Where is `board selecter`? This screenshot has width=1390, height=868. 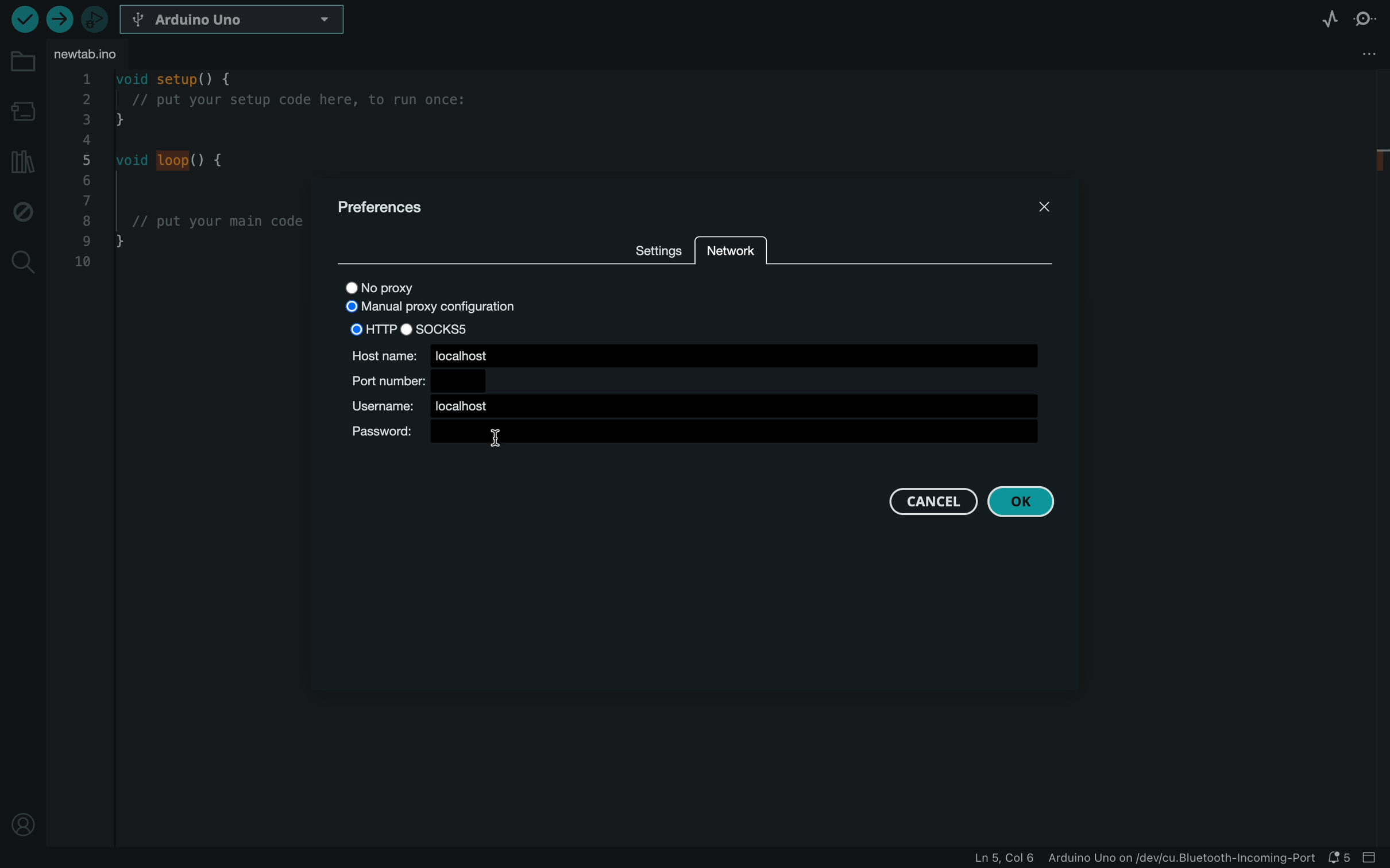
board selecter is located at coordinates (234, 20).